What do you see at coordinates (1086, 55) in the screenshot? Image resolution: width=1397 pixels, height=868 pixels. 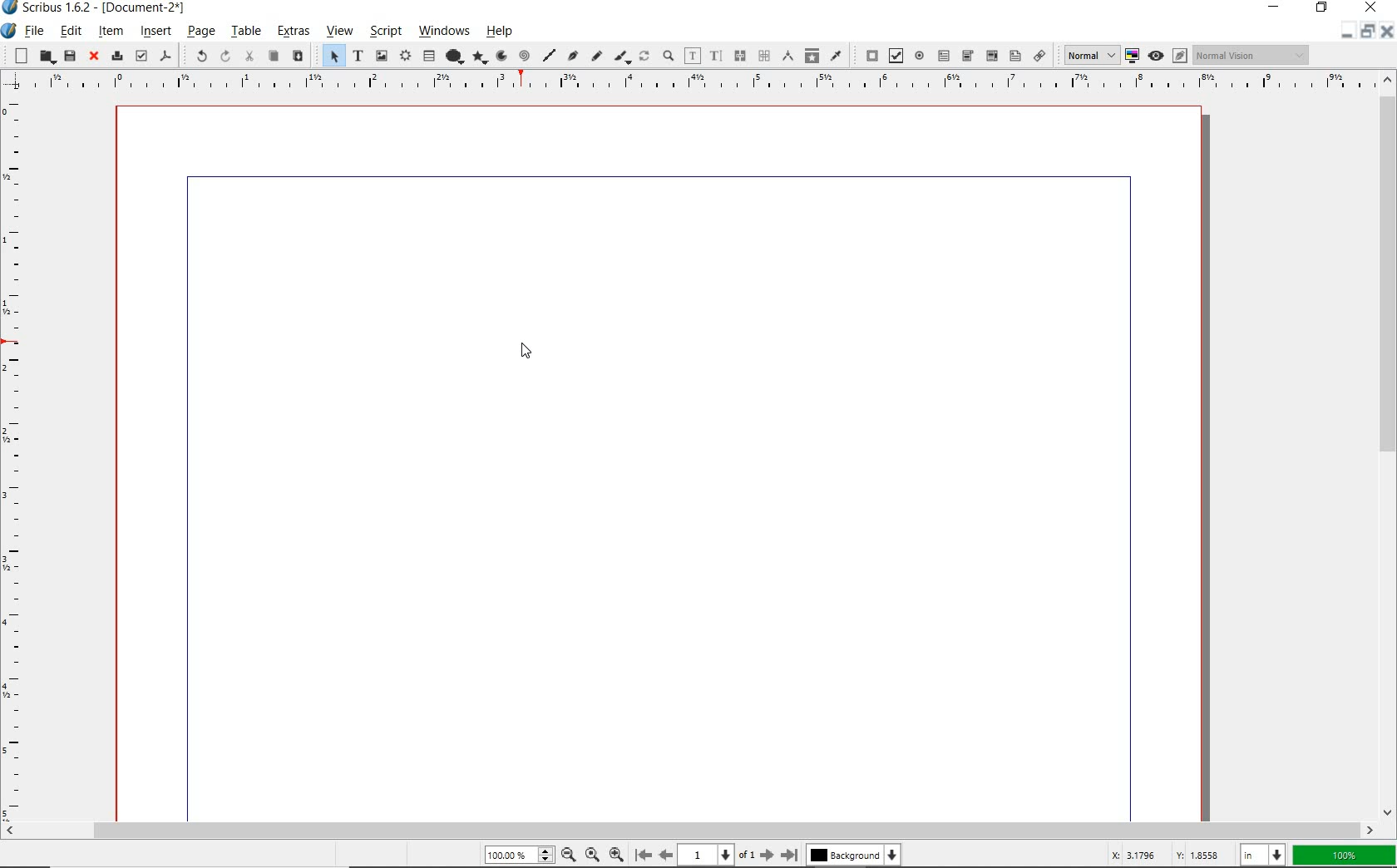 I see `select image preview quality` at bounding box center [1086, 55].